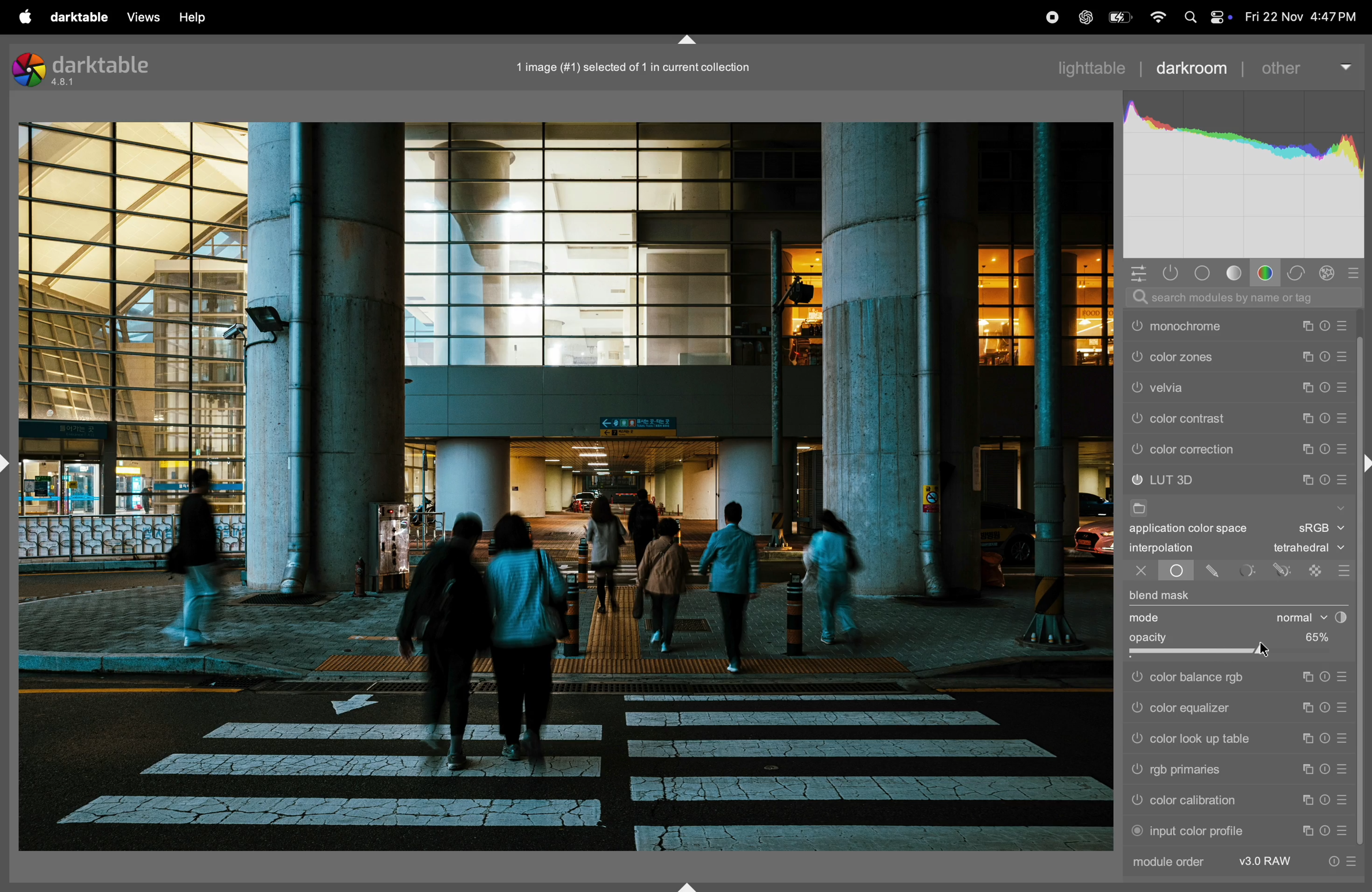 Image resolution: width=1372 pixels, height=892 pixels. What do you see at coordinates (1189, 16) in the screenshot?
I see `spotlight search` at bounding box center [1189, 16].